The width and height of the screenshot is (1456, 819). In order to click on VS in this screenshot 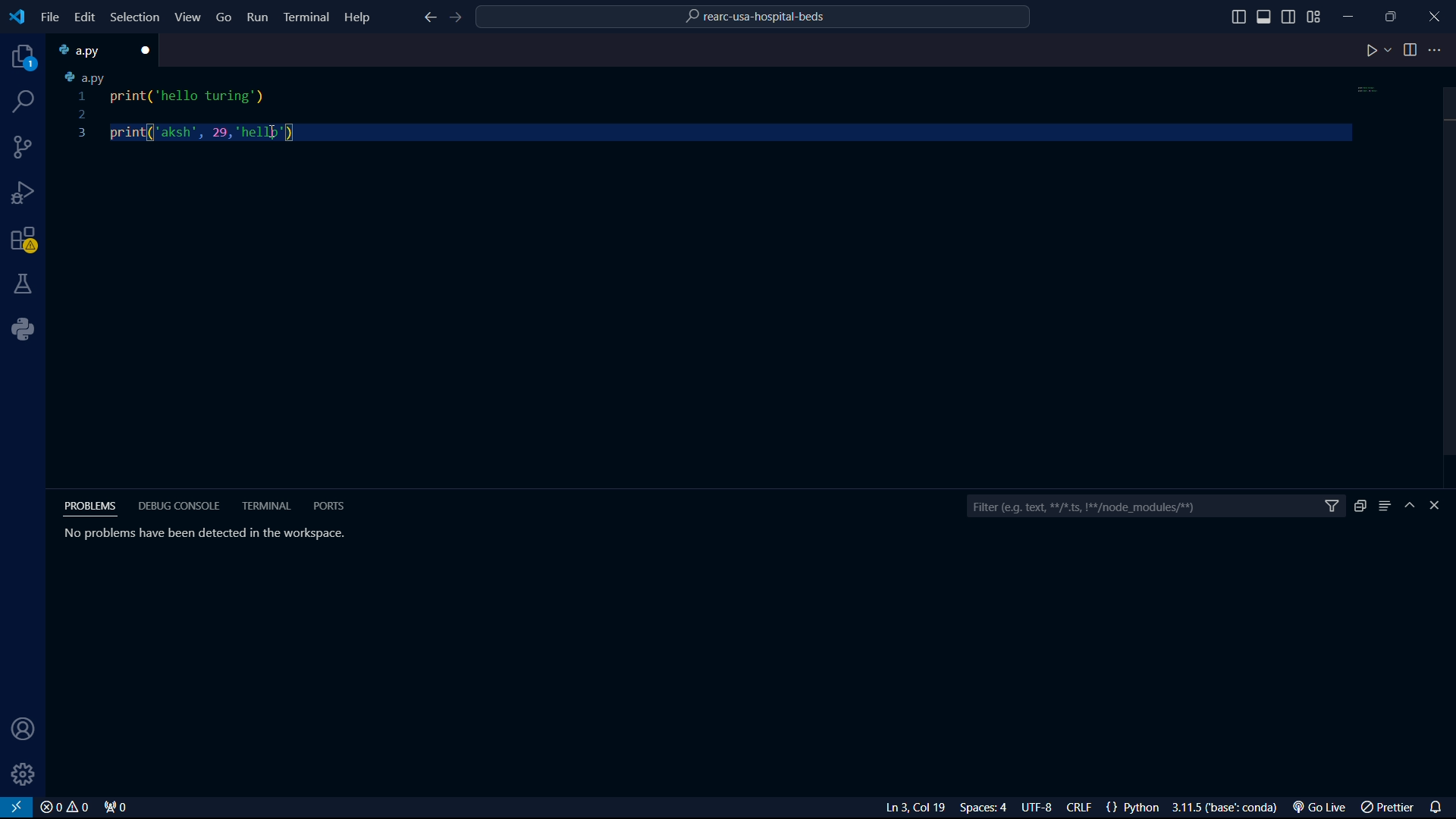, I will do `click(17, 808)`.